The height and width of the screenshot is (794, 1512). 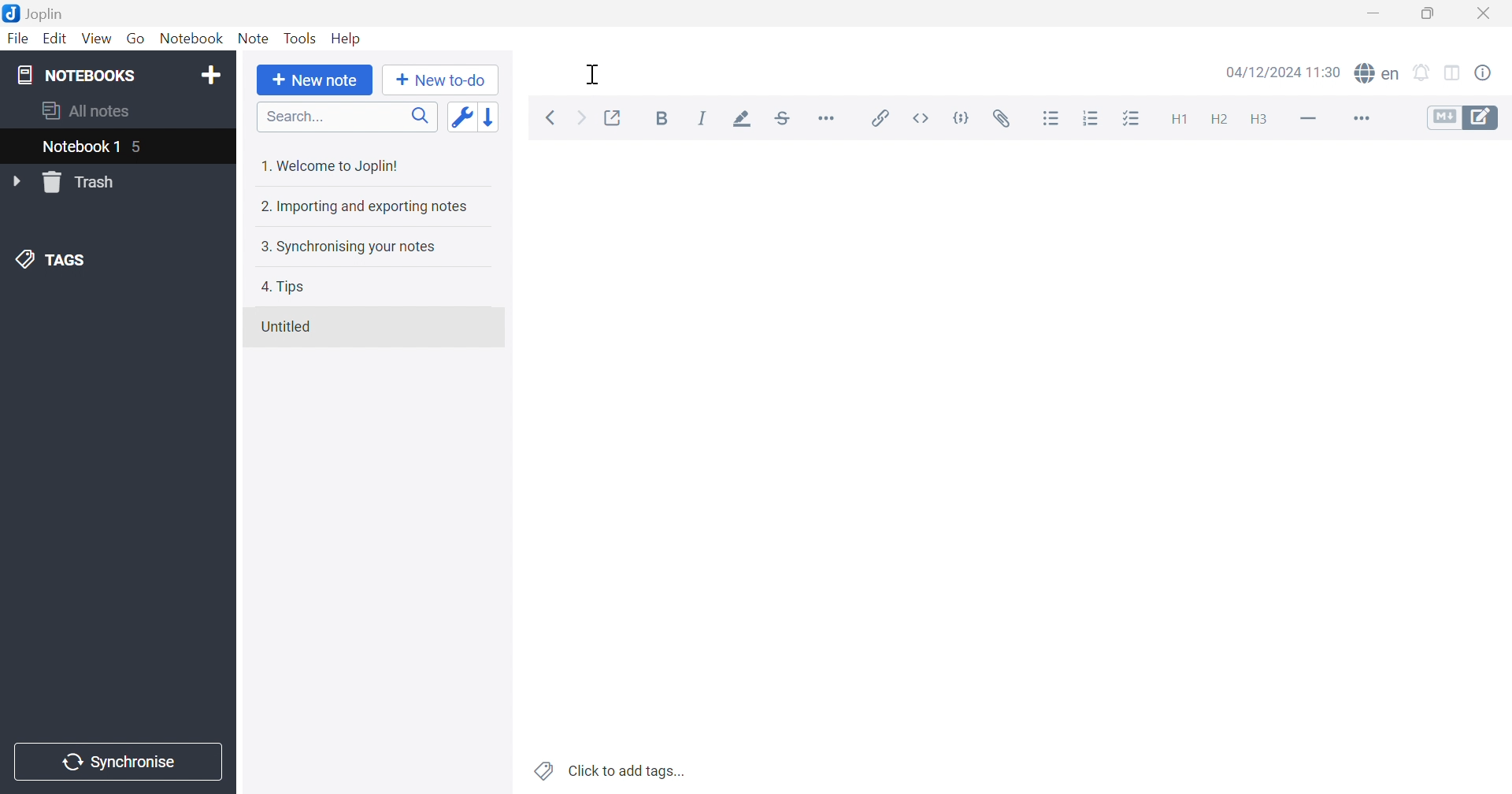 What do you see at coordinates (782, 121) in the screenshot?
I see `Strikethrough` at bounding box center [782, 121].